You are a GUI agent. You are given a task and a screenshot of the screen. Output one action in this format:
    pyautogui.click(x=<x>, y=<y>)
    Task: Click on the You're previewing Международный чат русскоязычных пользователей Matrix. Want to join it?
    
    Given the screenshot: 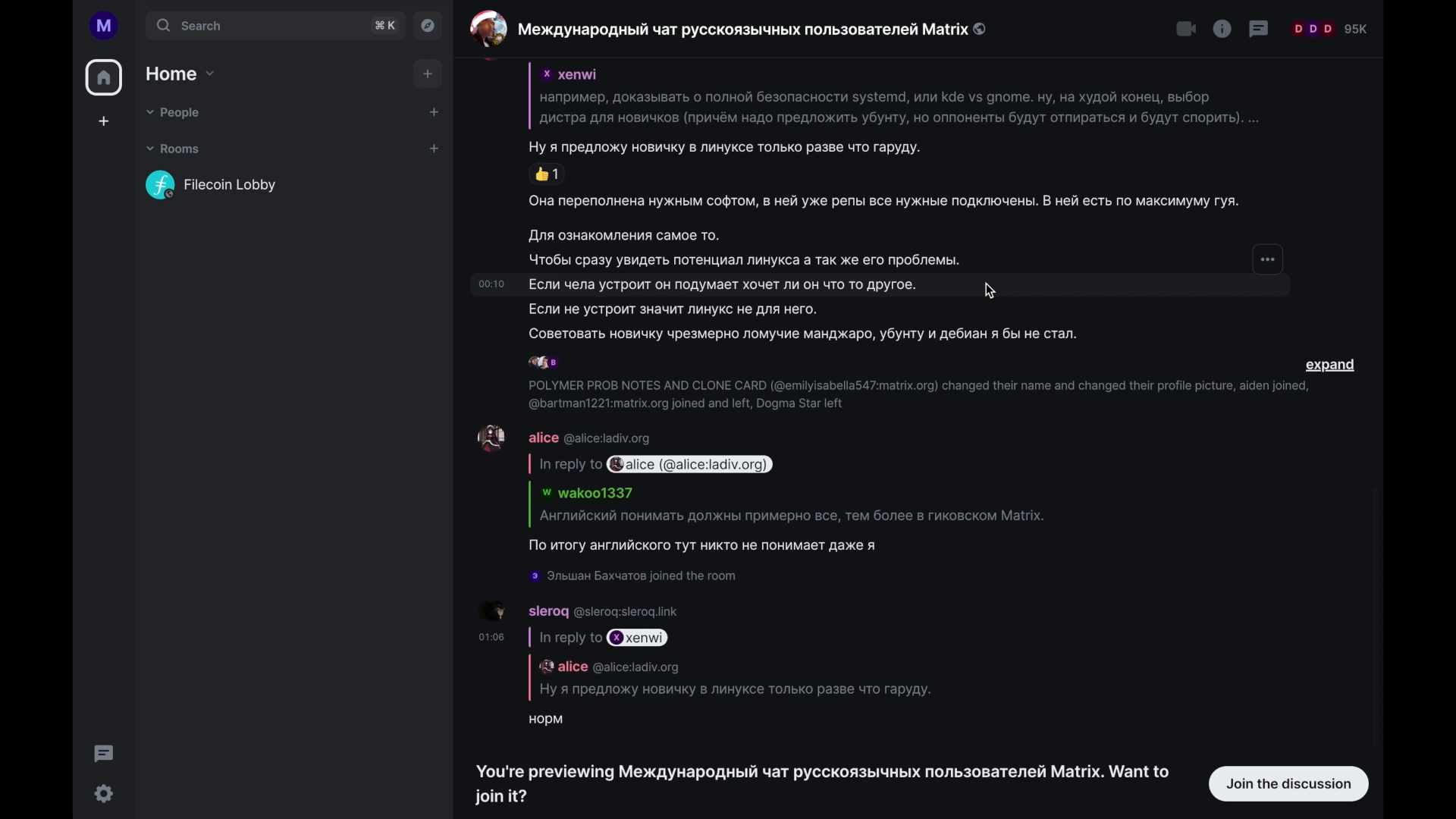 What is the action you would take?
    pyautogui.click(x=824, y=786)
    